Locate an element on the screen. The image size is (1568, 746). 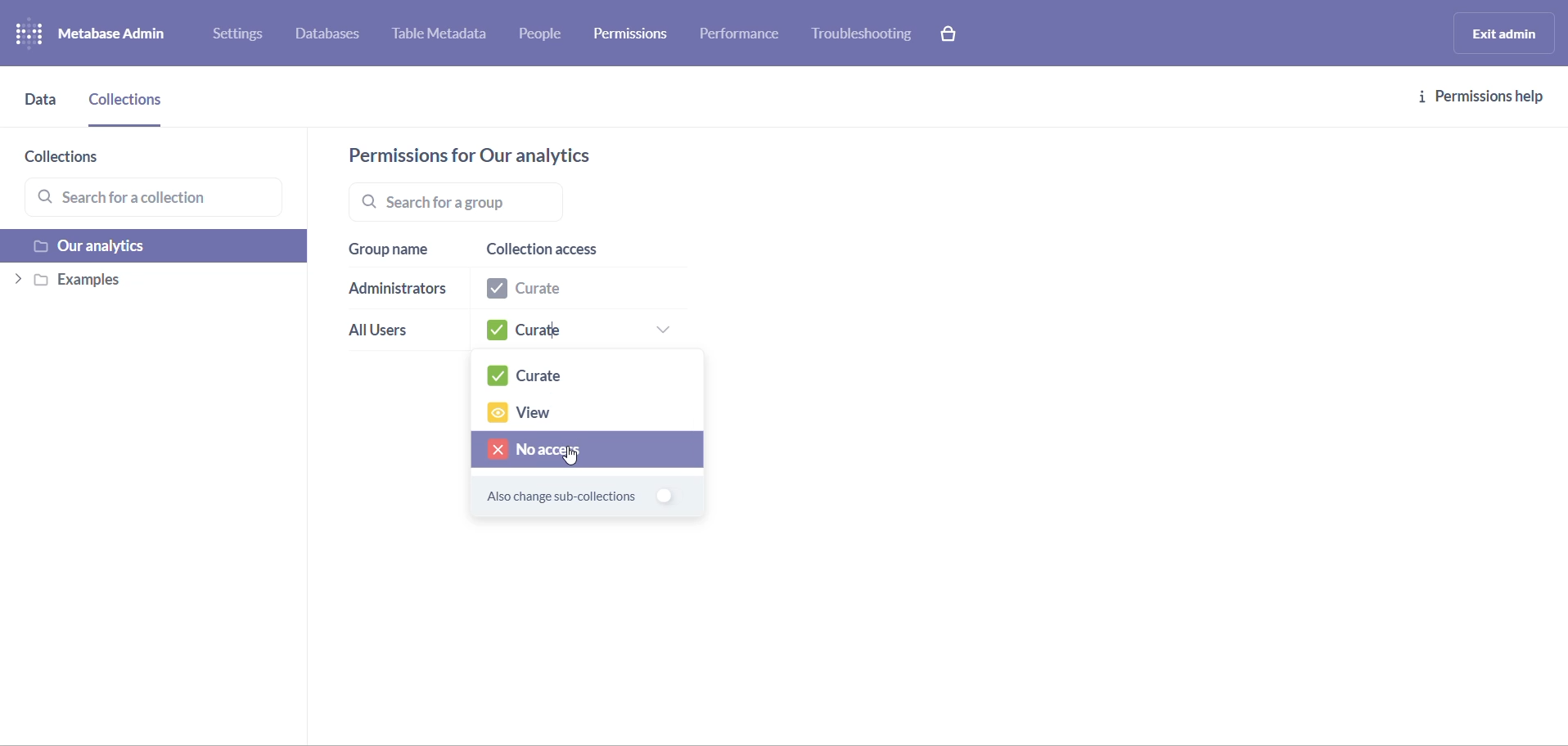
all users group is located at coordinates (390, 334).